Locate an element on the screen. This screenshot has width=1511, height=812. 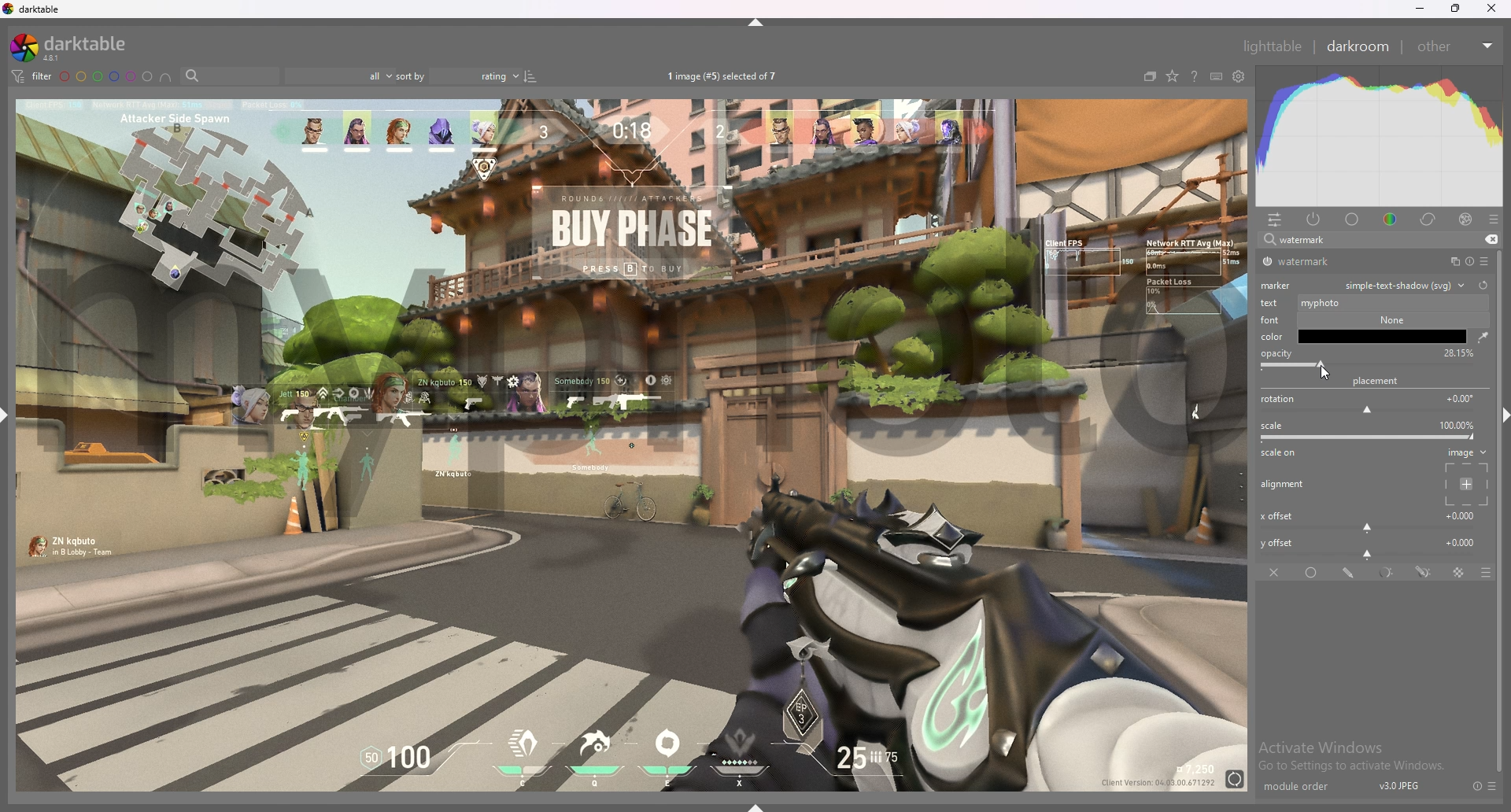
presets is located at coordinates (1494, 220).